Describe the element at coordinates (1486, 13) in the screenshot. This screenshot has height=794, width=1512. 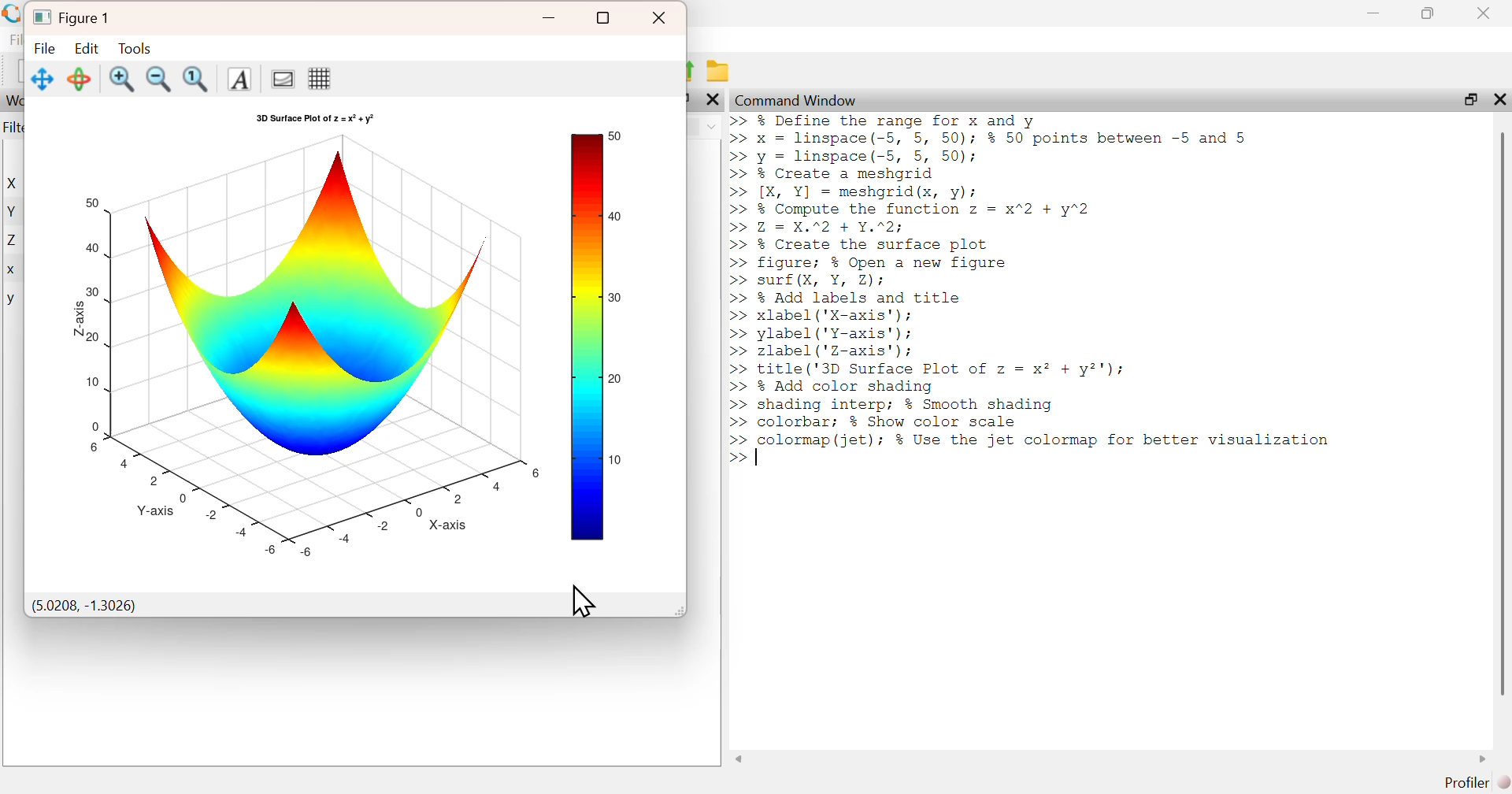
I see `close` at that location.